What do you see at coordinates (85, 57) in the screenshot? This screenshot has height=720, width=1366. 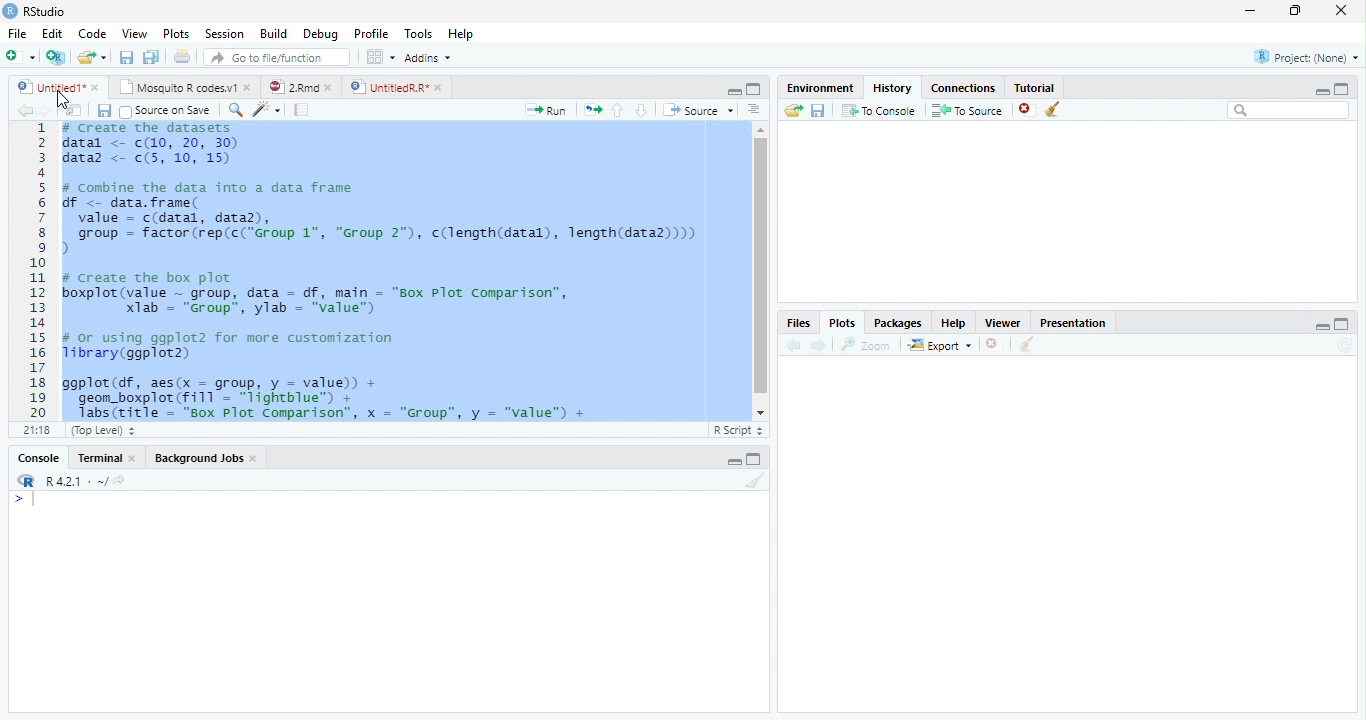 I see `Open an existing file` at bounding box center [85, 57].